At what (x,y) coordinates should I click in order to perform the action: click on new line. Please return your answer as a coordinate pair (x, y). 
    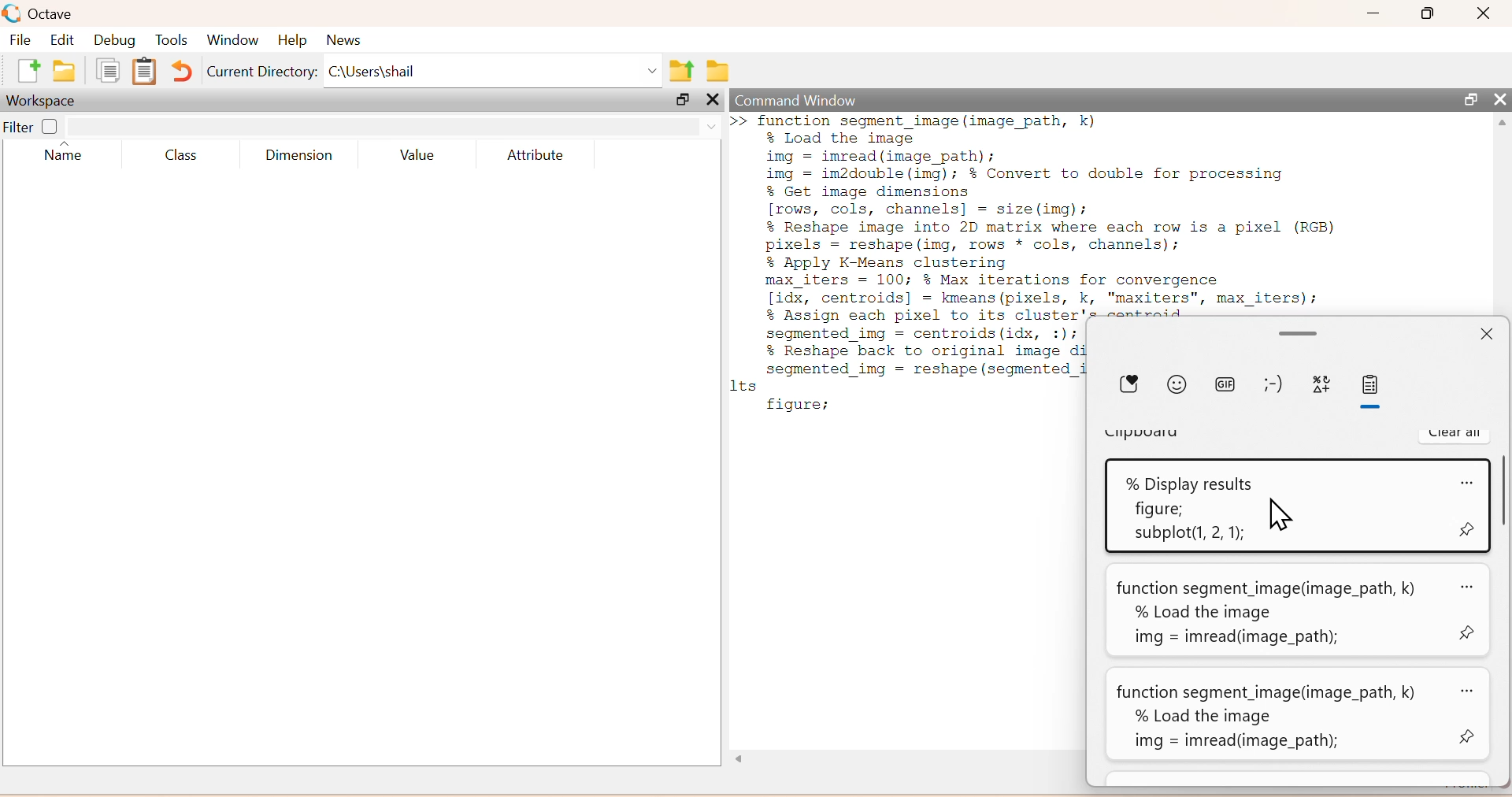
    Looking at the image, I should click on (739, 120).